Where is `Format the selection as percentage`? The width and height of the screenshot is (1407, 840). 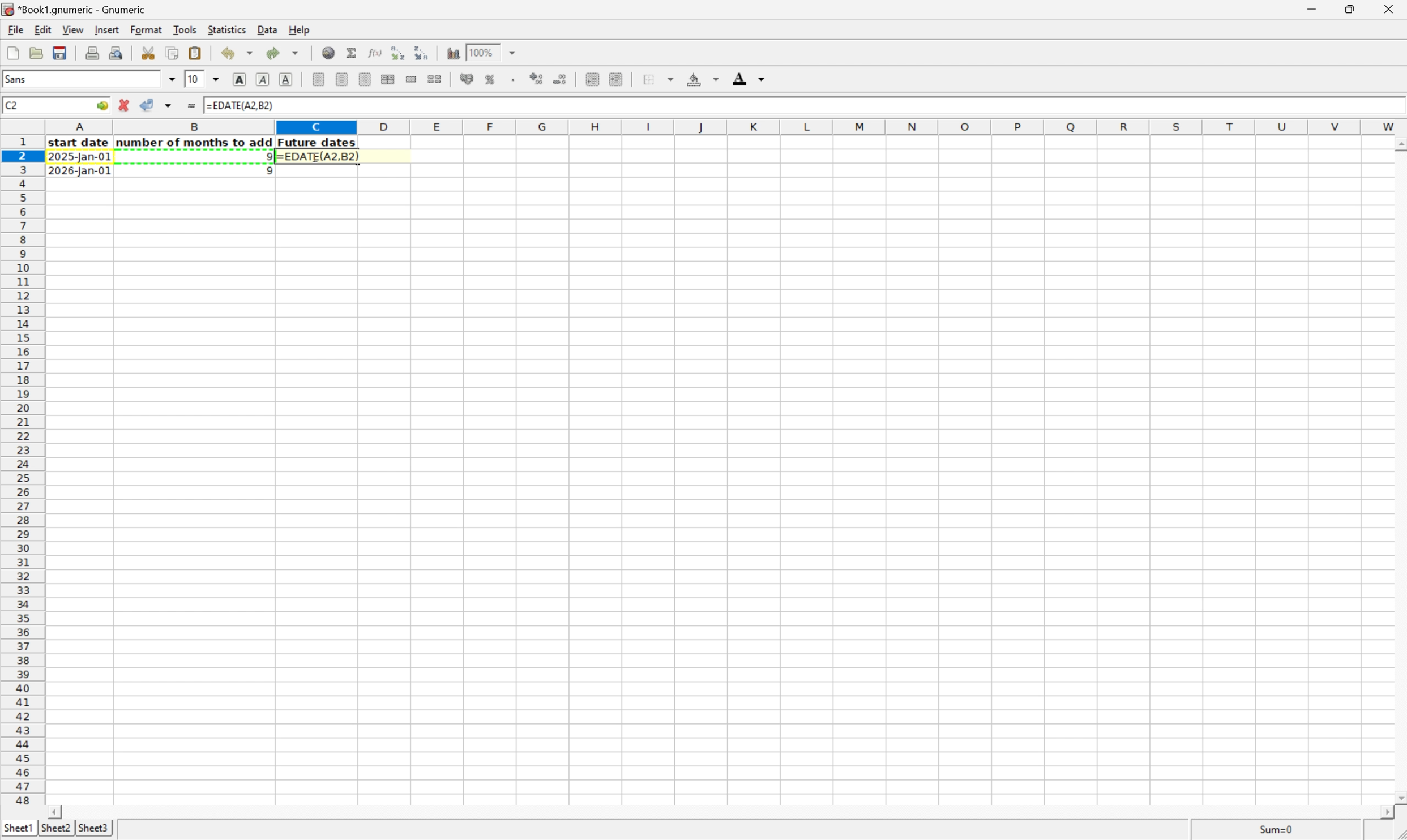 Format the selection as percentage is located at coordinates (491, 81).